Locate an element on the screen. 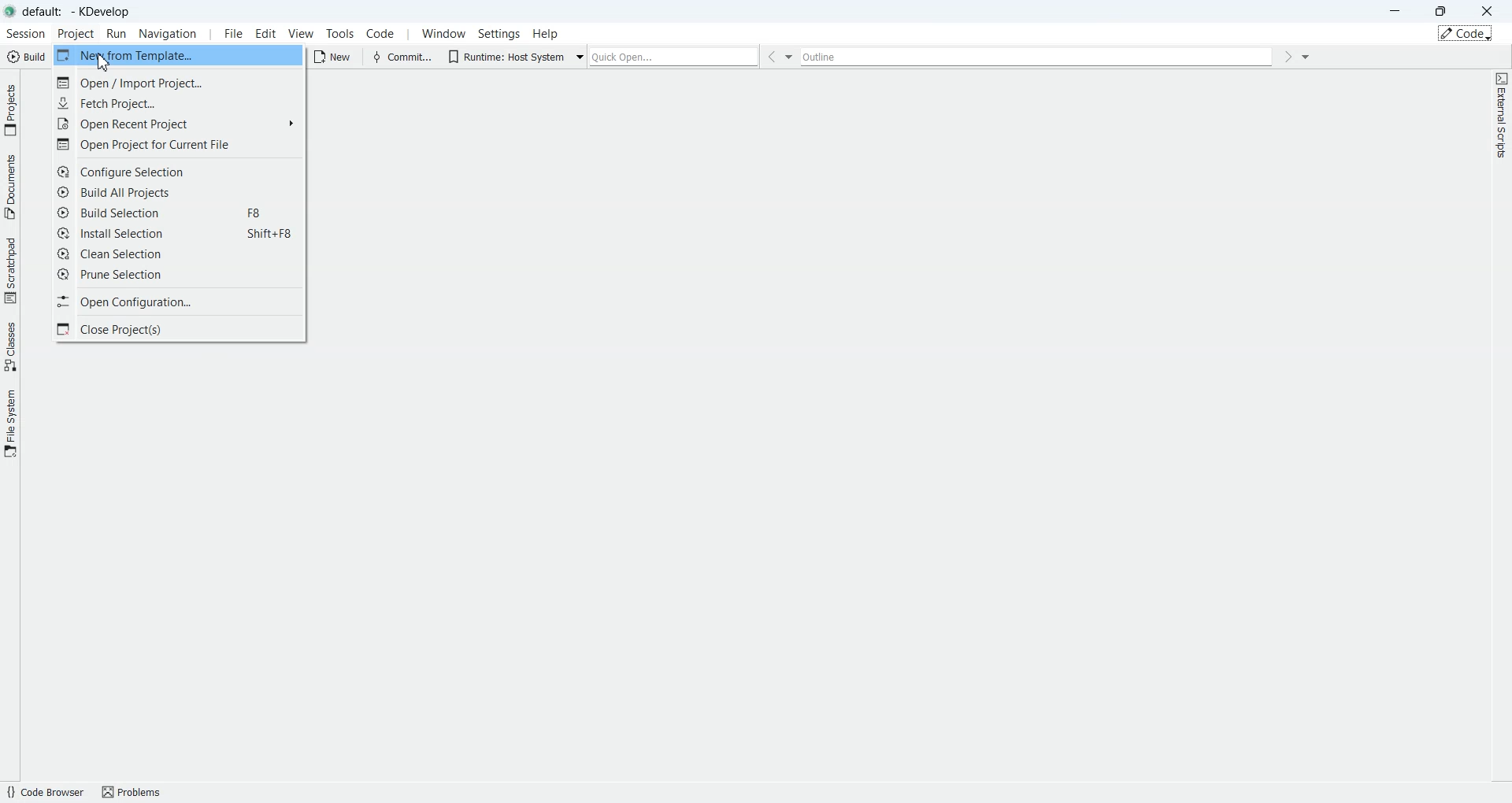  Configure Selection is located at coordinates (179, 172).